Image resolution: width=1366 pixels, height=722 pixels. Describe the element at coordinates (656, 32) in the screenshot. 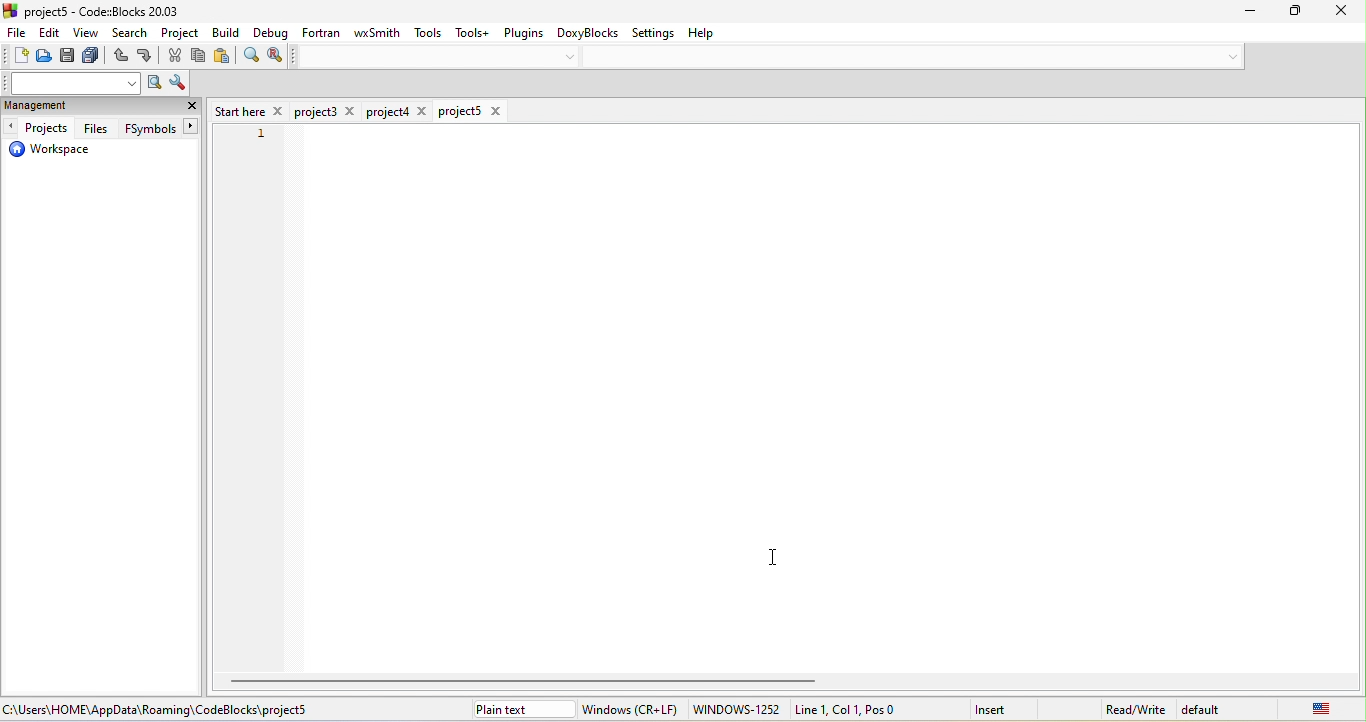

I see `settings` at that location.